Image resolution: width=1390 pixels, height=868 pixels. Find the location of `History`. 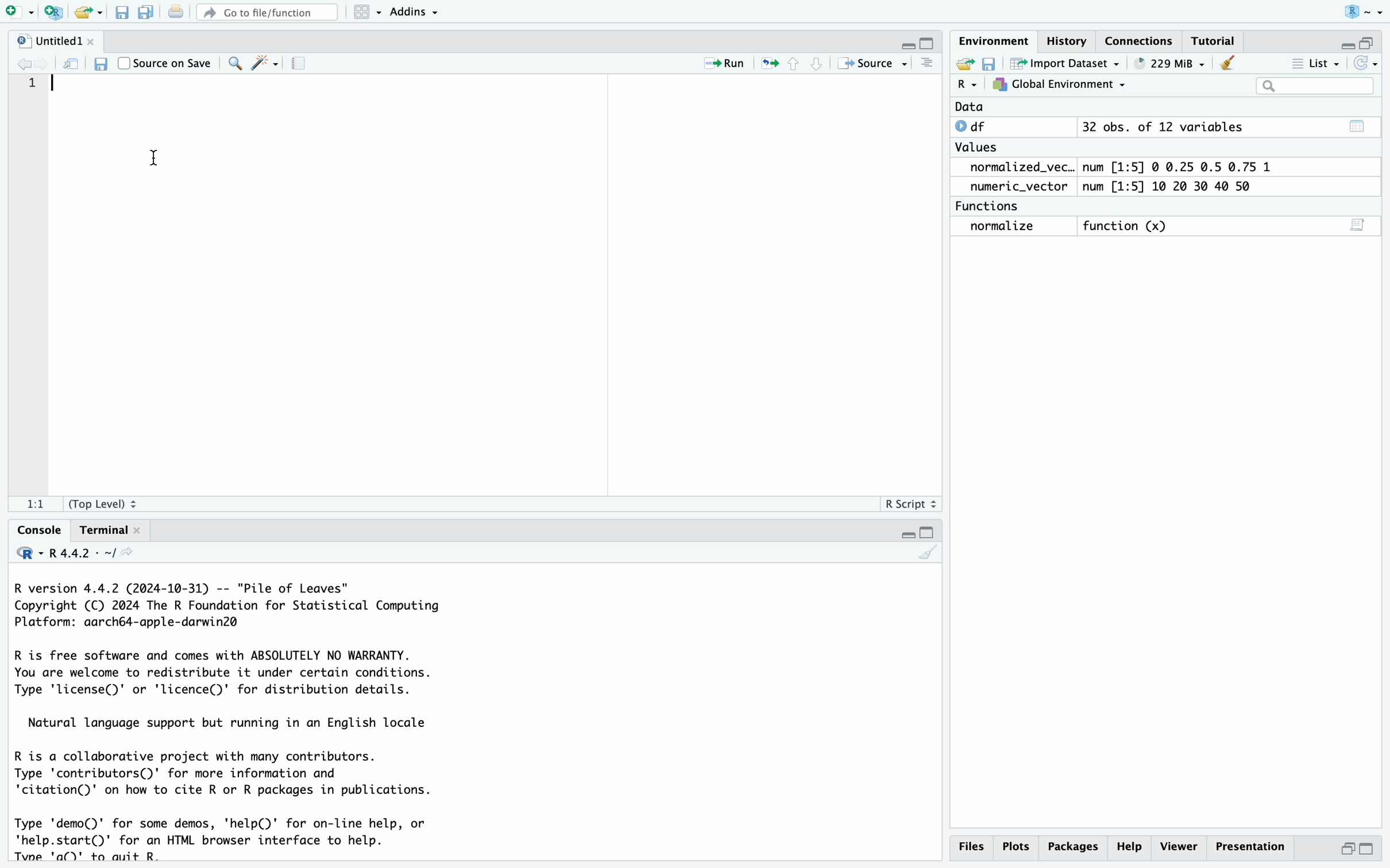

History is located at coordinates (1067, 41).